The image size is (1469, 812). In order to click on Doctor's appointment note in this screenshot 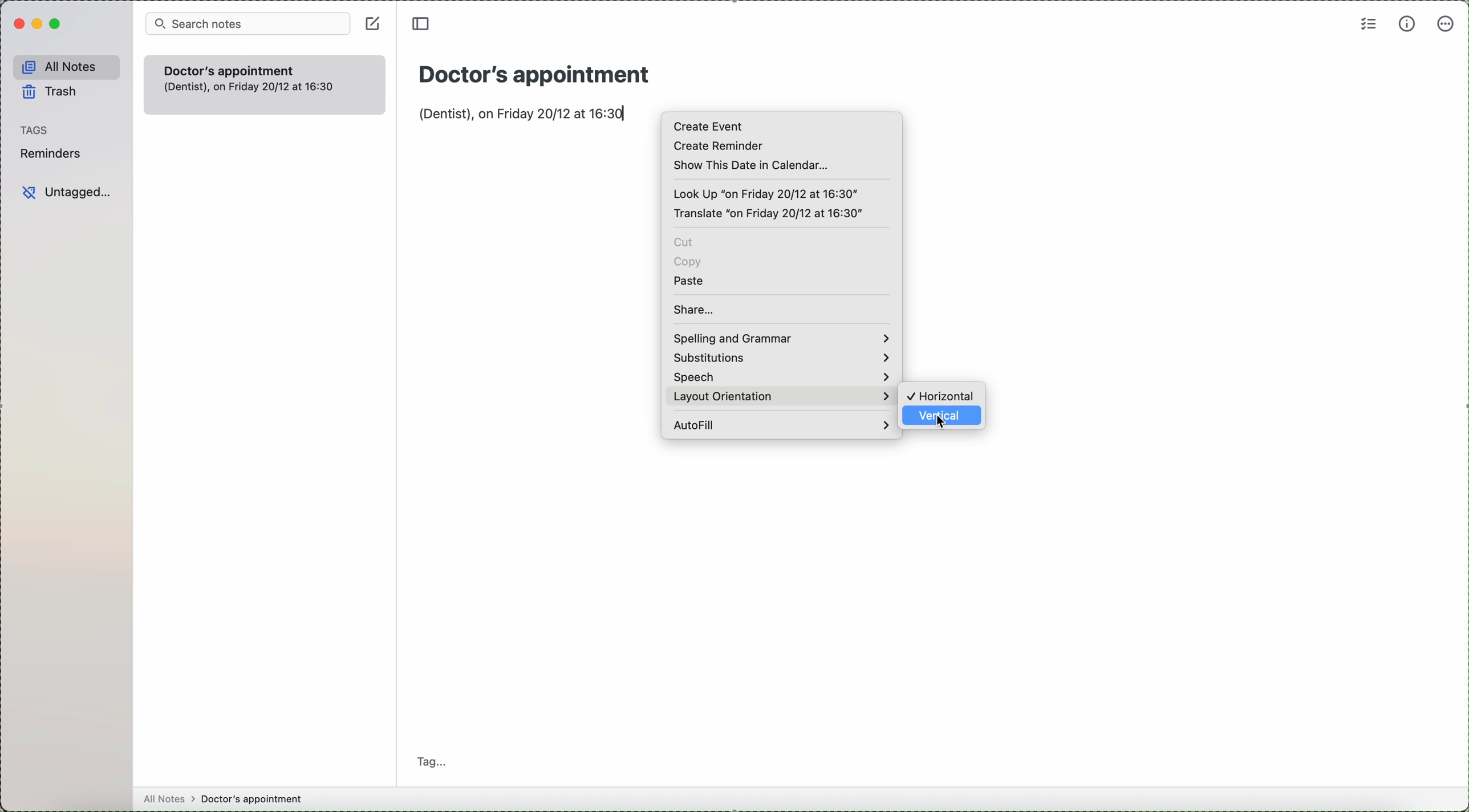, I will do `click(263, 84)`.